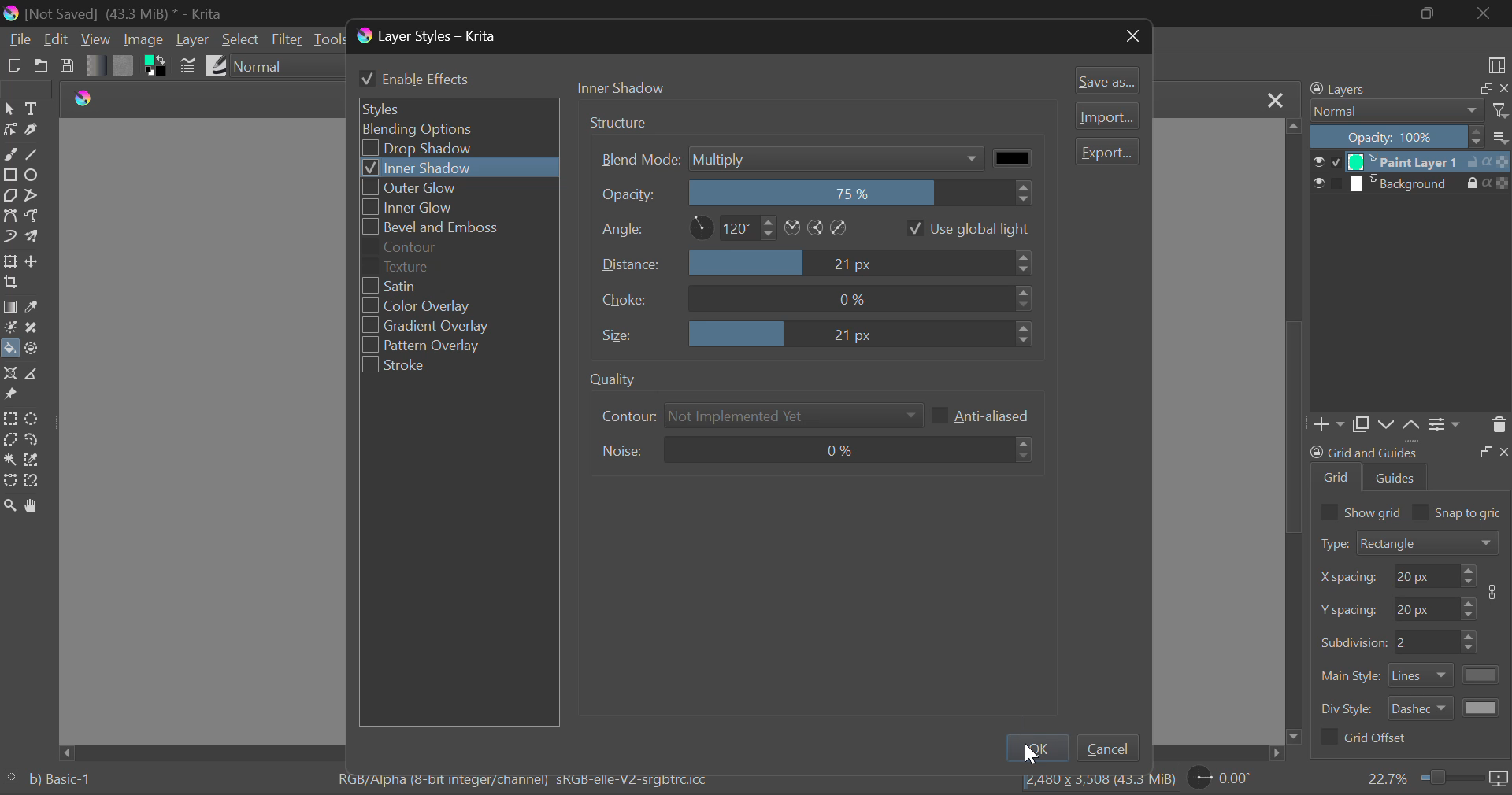 The height and width of the screenshot is (795, 1512). Describe the element at coordinates (611, 378) in the screenshot. I see `quality` at that location.